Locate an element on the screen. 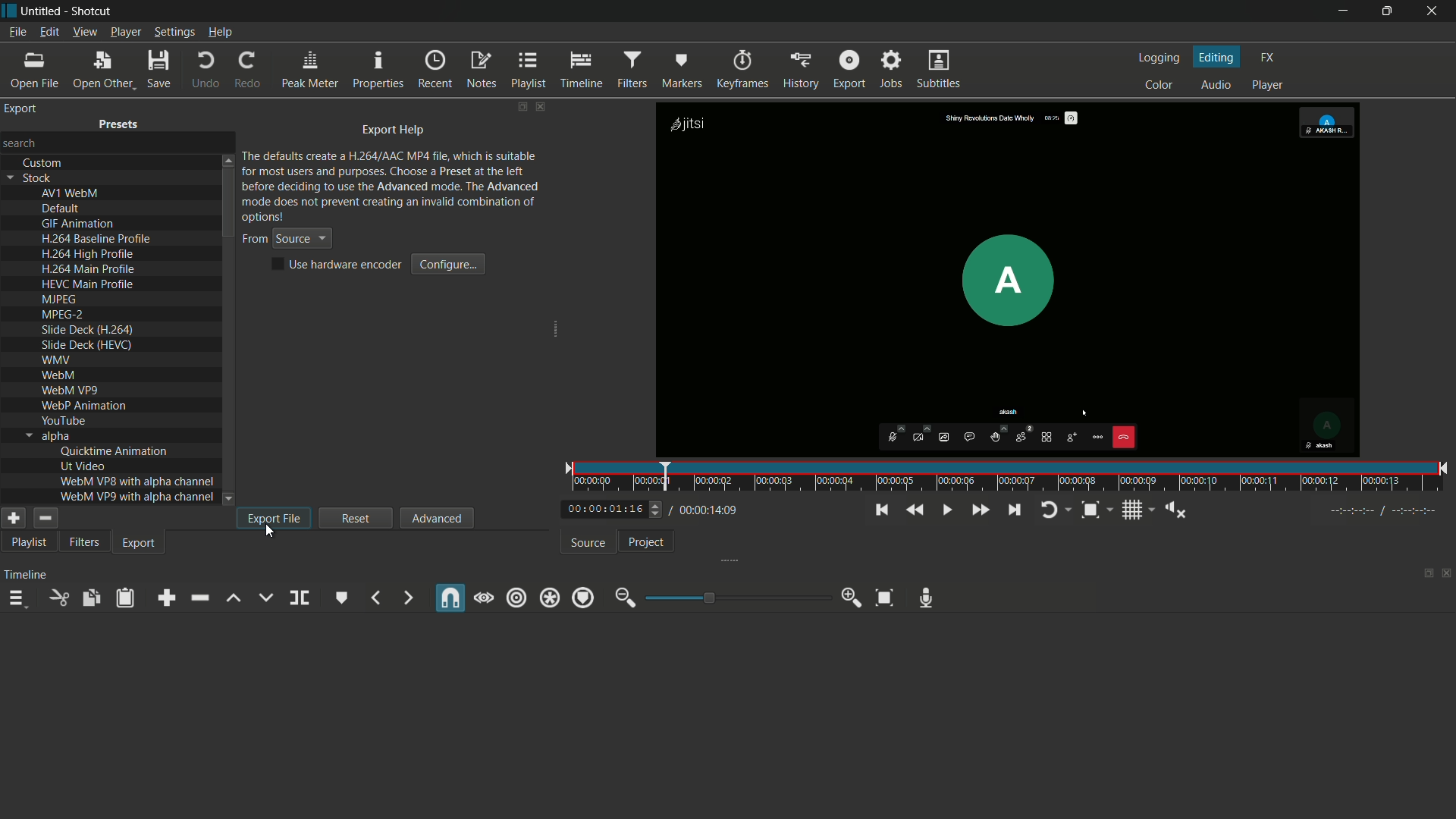 This screenshot has width=1456, height=819. save is located at coordinates (158, 70).